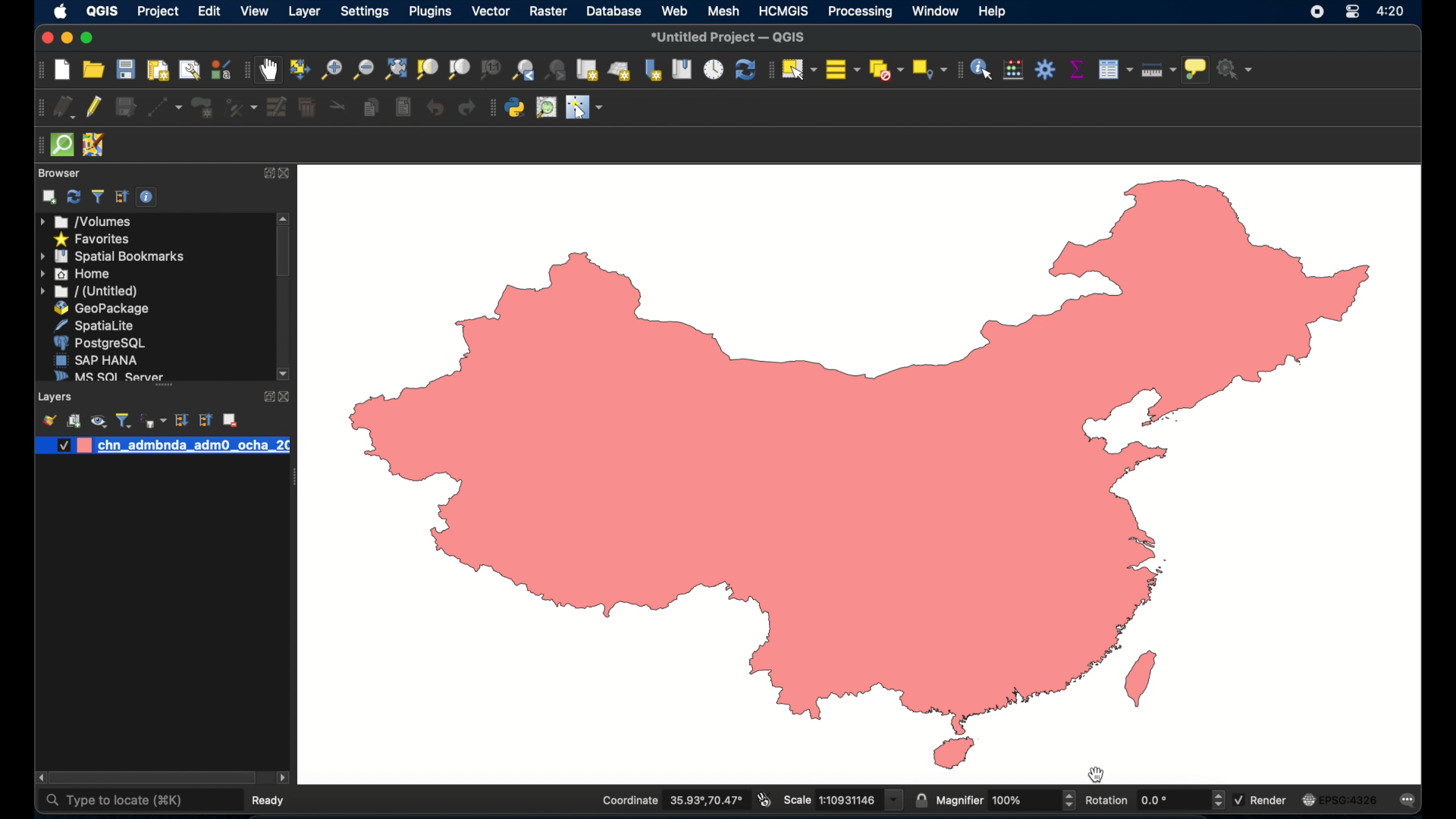 Image resolution: width=1456 pixels, height=819 pixels. Describe the element at coordinates (181, 420) in the screenshot. I see `expand` at that location.